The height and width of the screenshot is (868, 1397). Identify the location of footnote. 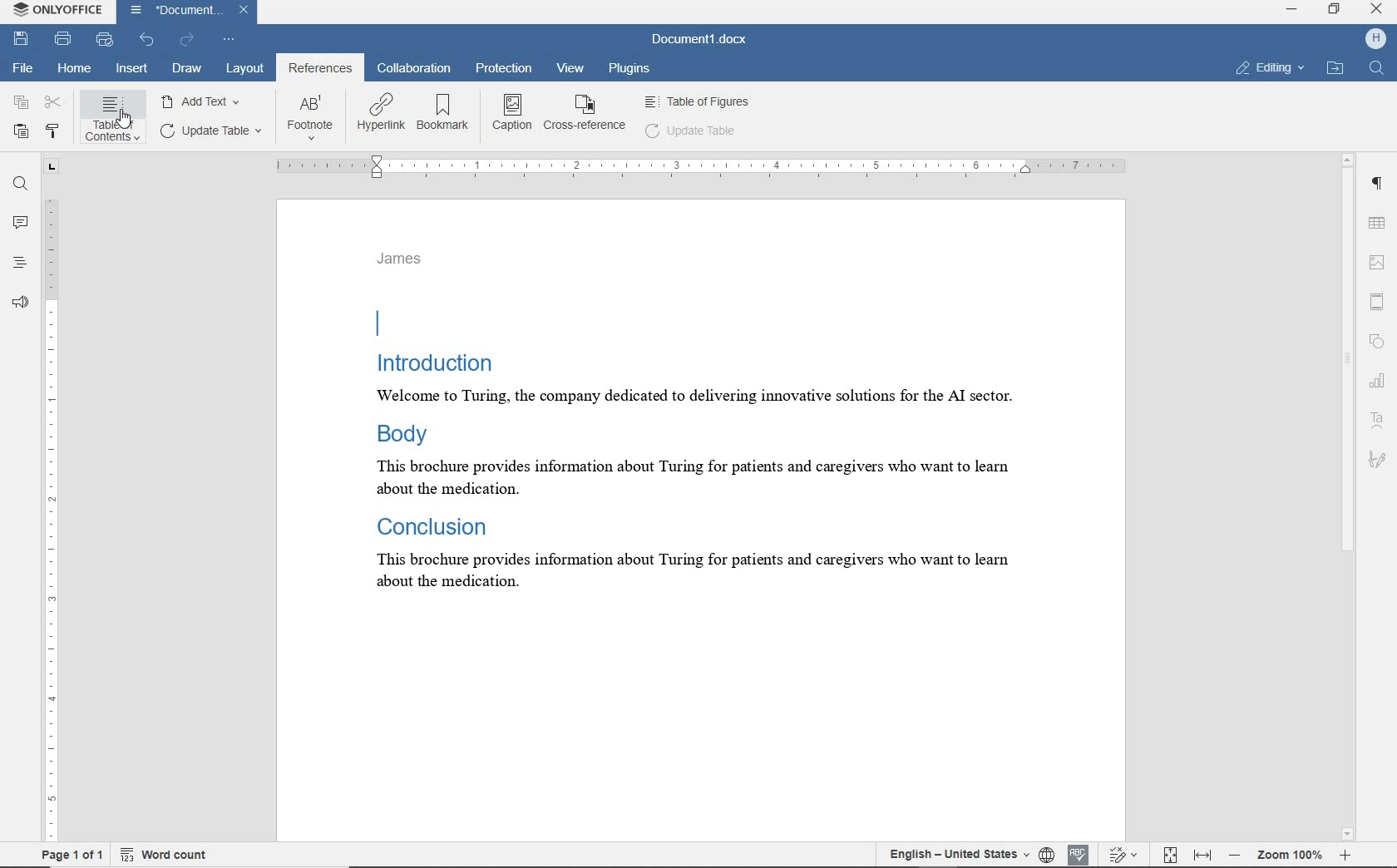
(313, 119).